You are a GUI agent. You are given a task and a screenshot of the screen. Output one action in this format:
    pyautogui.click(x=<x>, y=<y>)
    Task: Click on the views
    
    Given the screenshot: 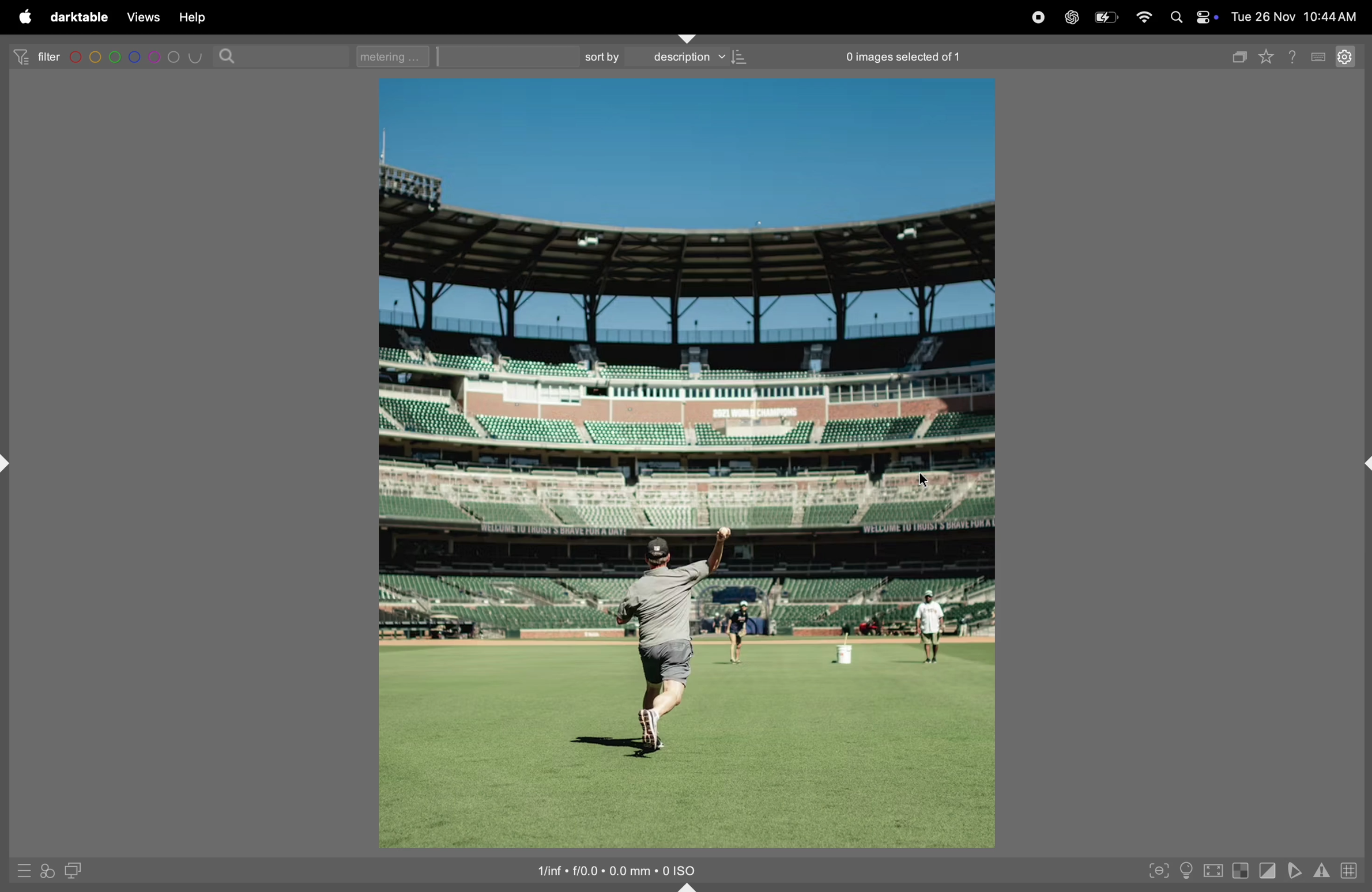 What is the action you would take?
    pyautogui.click(x=144, y=18)
    